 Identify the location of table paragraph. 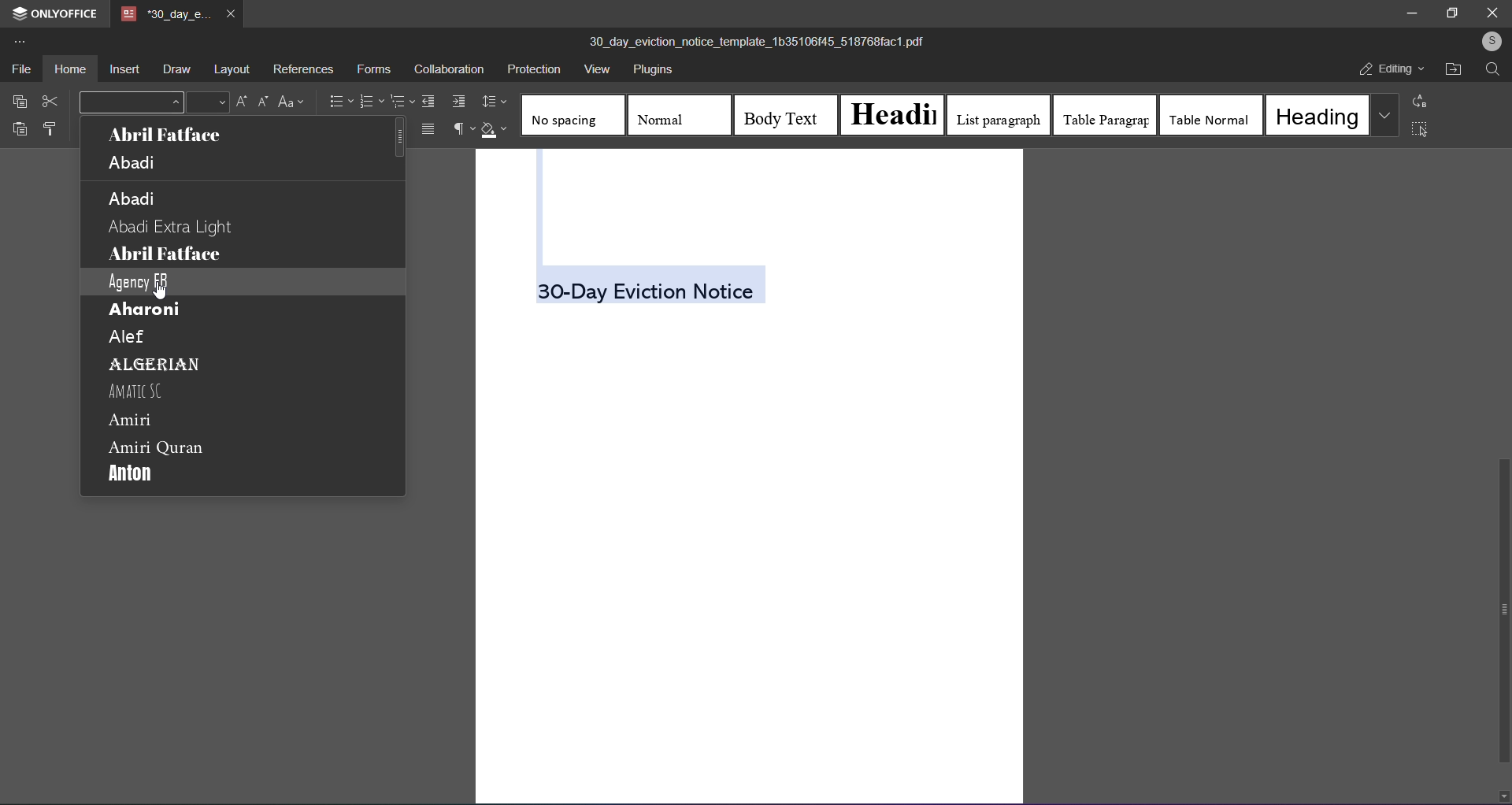
(1103, 115).